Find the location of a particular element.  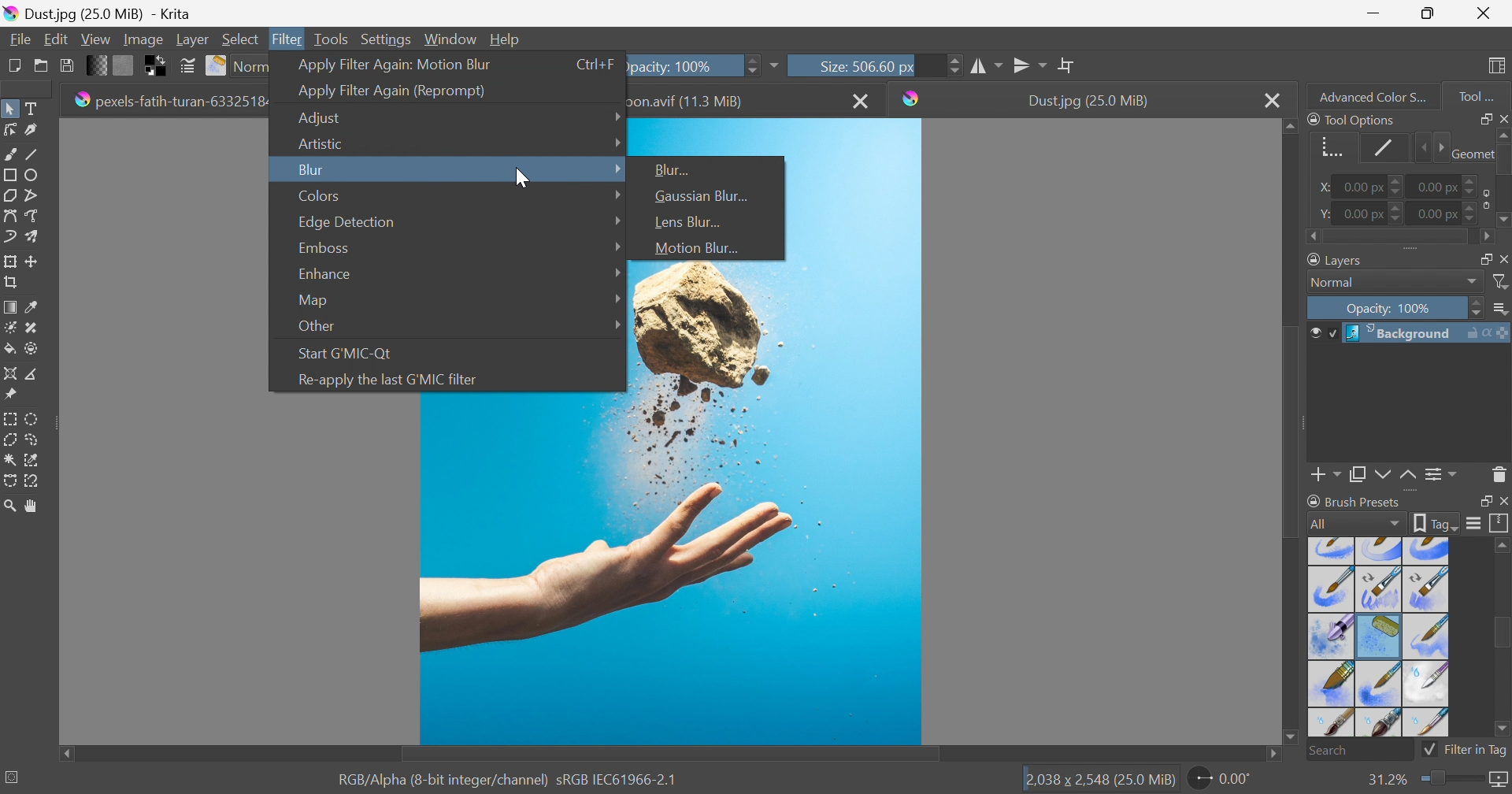

Slider is located at coordinates (1430, 148).